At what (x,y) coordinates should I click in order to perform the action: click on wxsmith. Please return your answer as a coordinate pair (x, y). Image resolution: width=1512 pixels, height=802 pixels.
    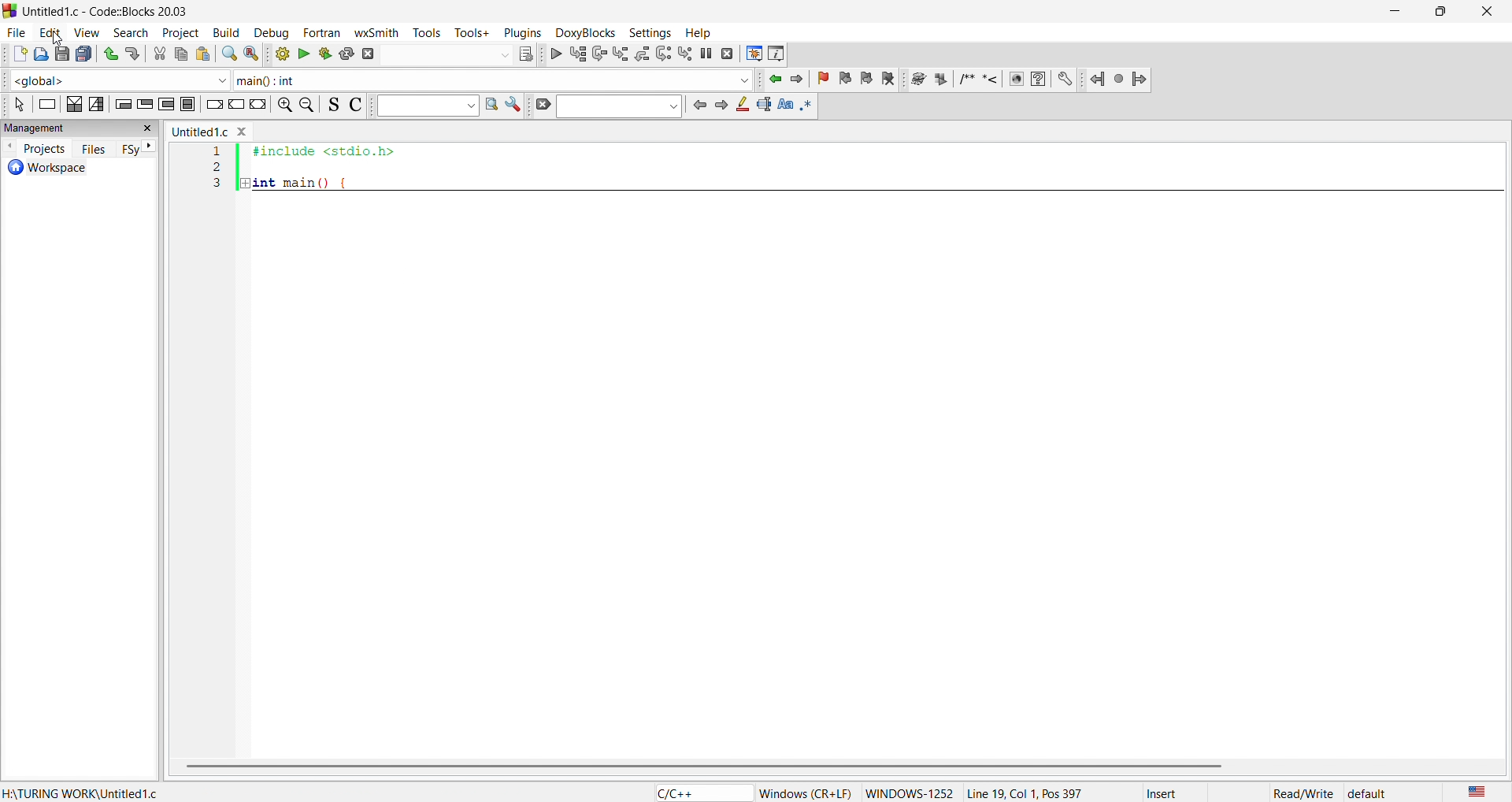
    Looking at the image, I should click on (380, 31).